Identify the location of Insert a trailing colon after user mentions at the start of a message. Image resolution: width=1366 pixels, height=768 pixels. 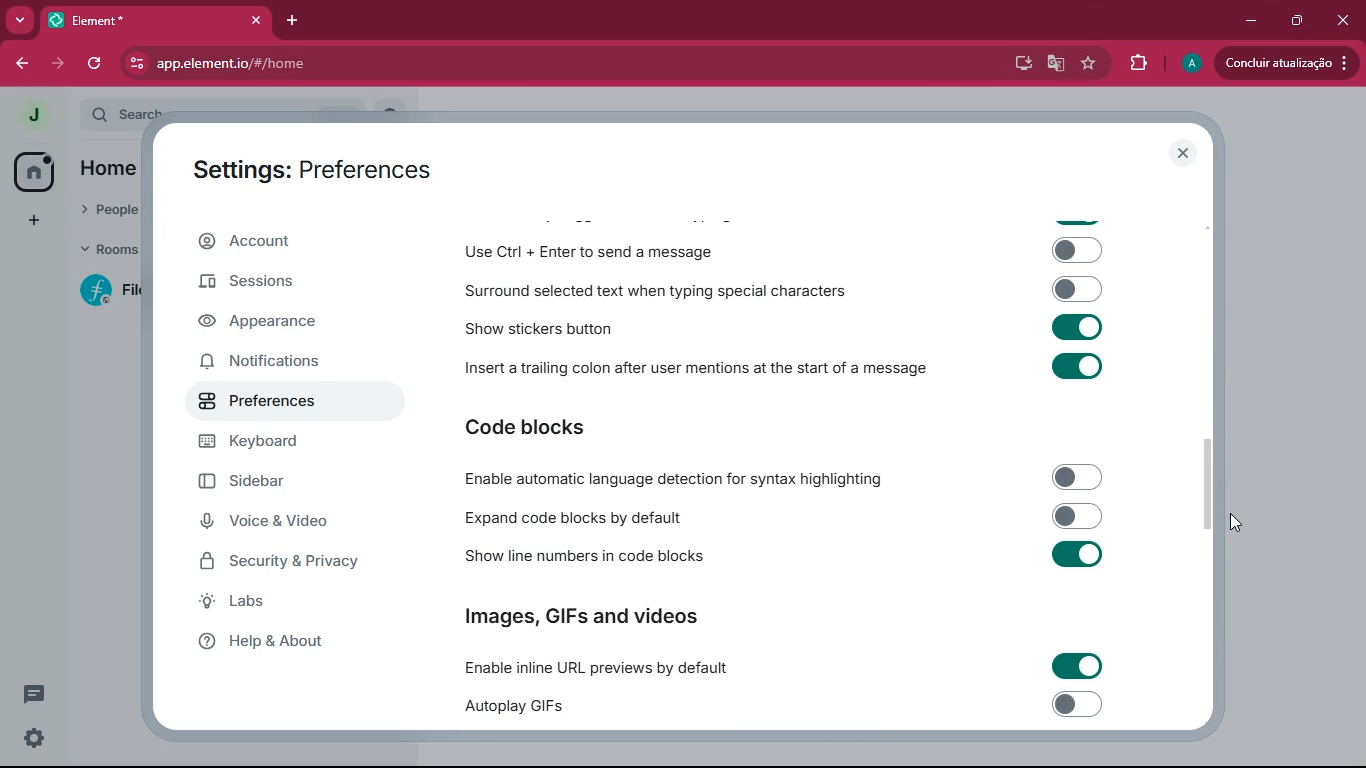
(782, 372).